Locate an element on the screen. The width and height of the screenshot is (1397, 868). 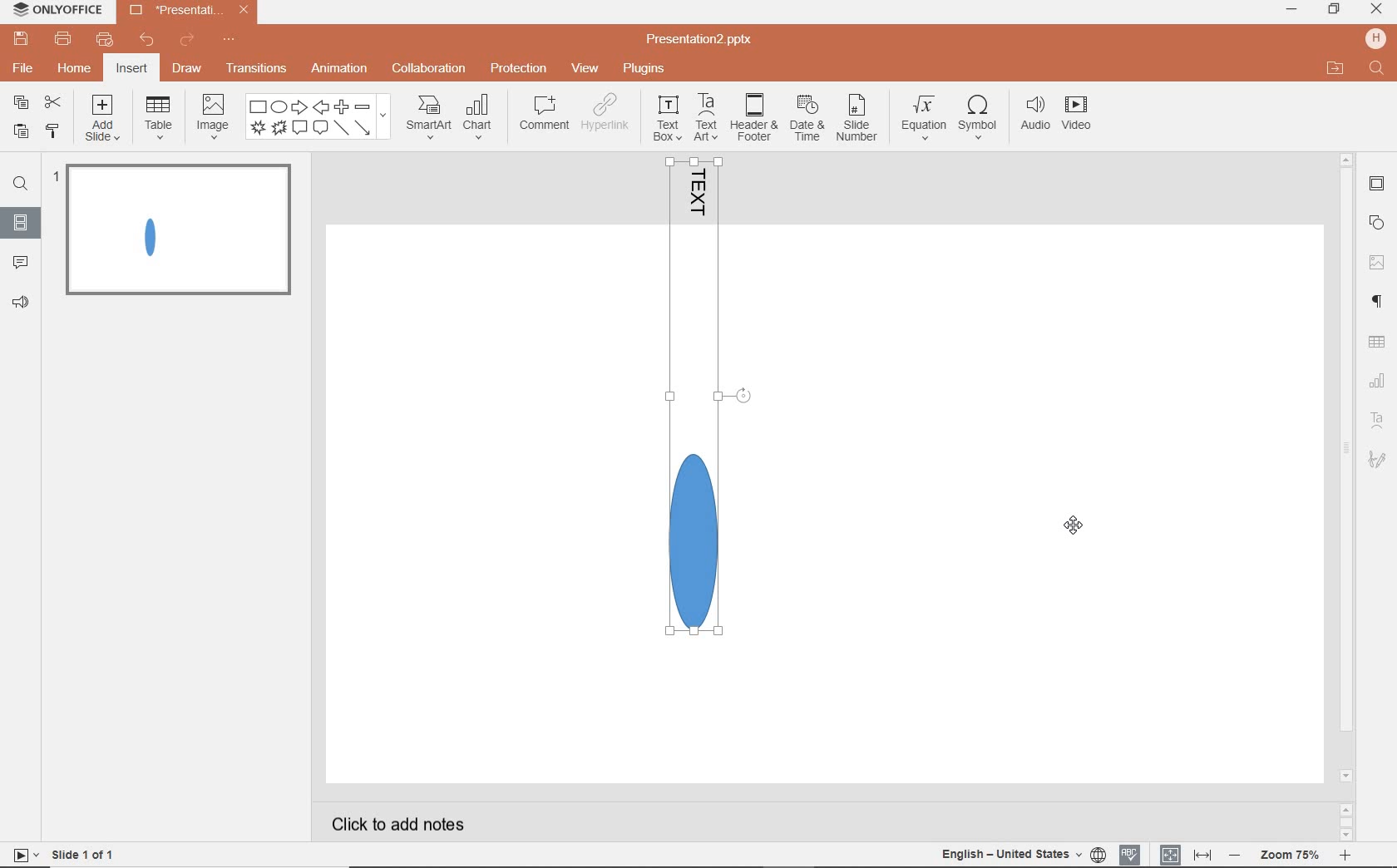
file is located at coordinates (24, 69).